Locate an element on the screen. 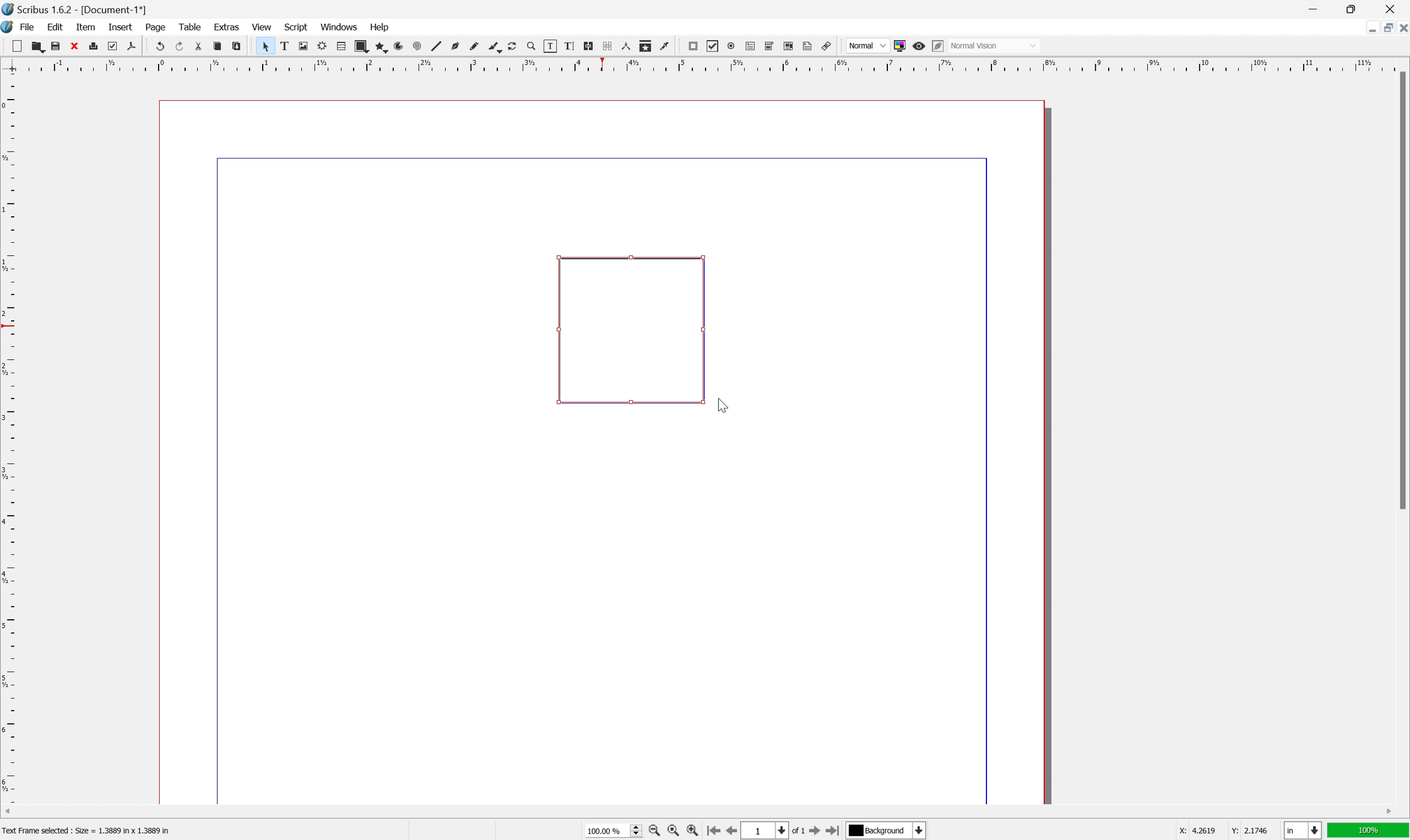  100% is located at coordinates (1369, 831).